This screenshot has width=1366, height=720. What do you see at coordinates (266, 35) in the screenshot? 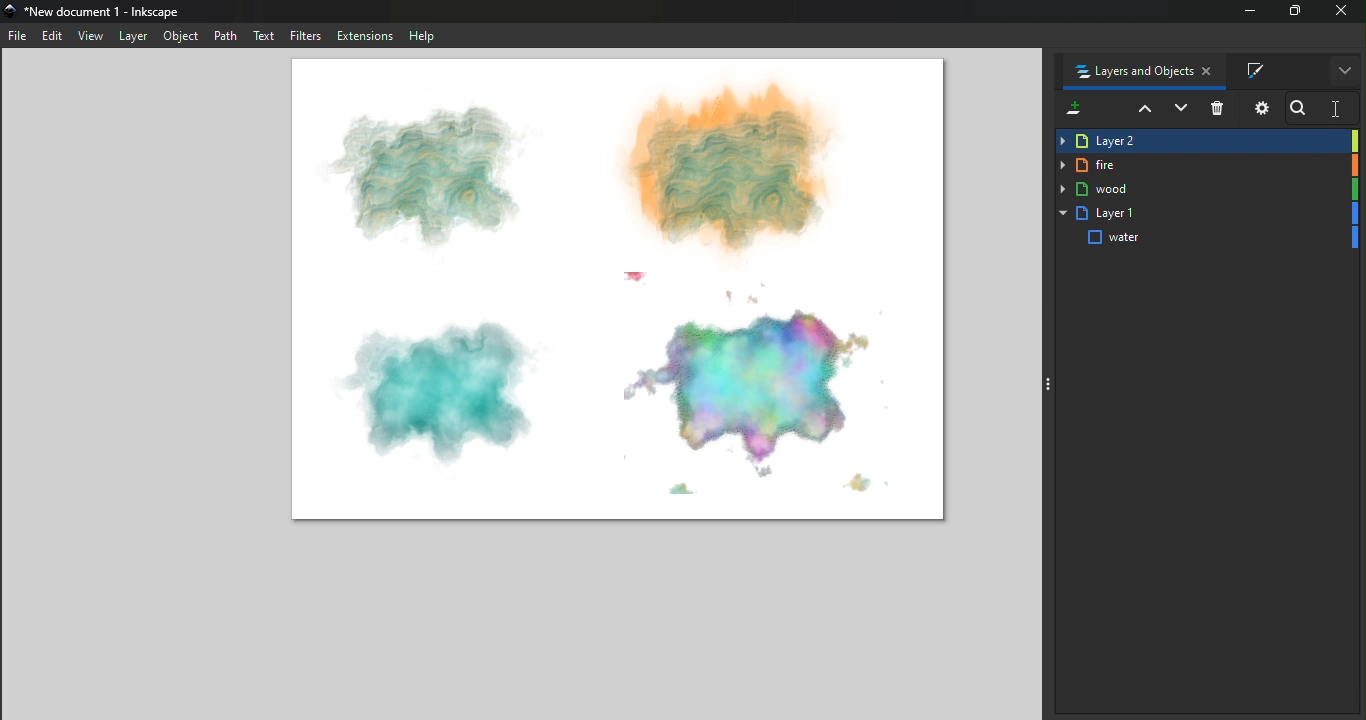
I see `Text` at bounding box center [266, 35].